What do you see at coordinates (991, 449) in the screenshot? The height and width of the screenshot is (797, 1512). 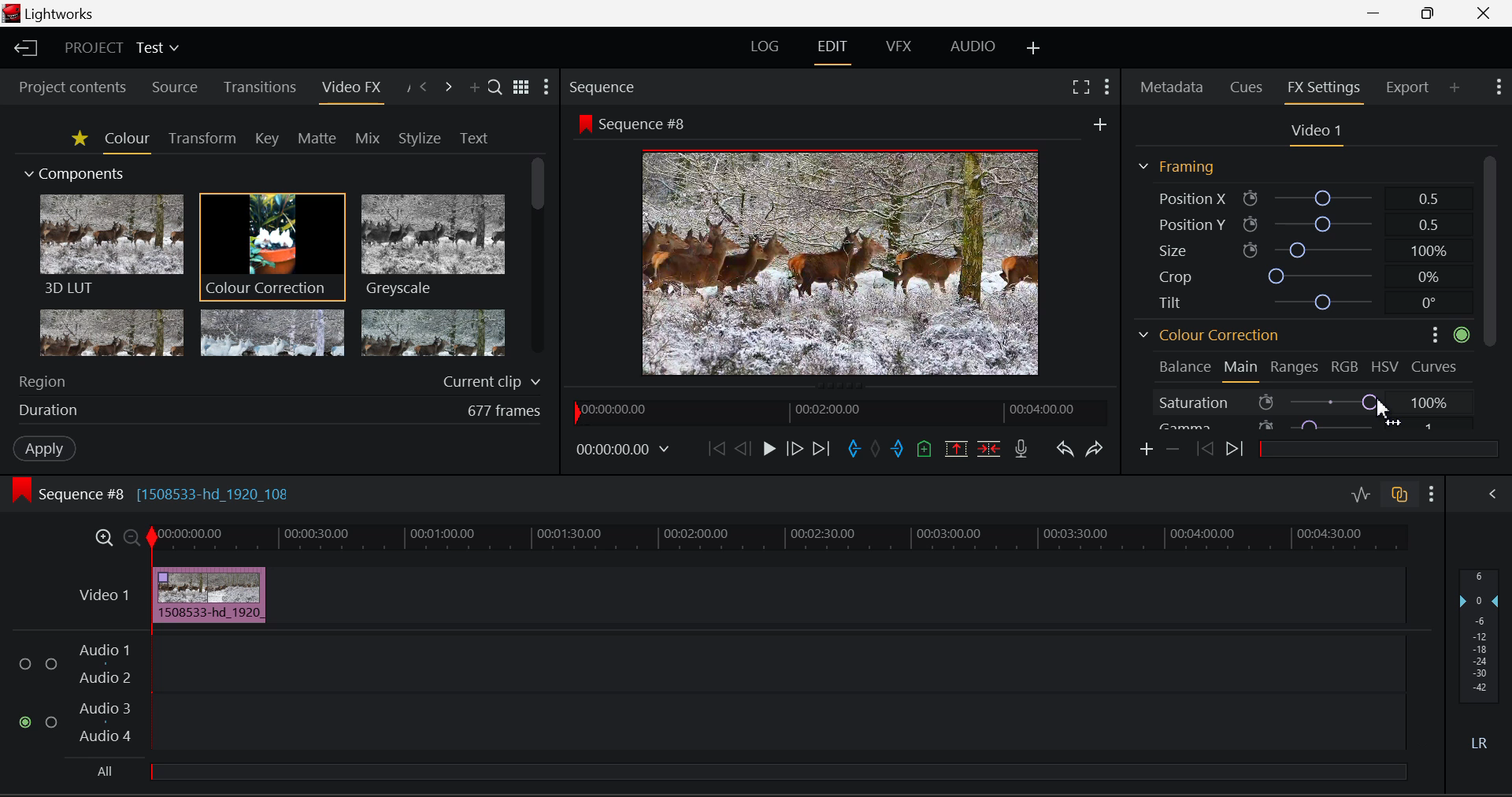 I see `Delete/Cut` at bounding box center [991, 449].